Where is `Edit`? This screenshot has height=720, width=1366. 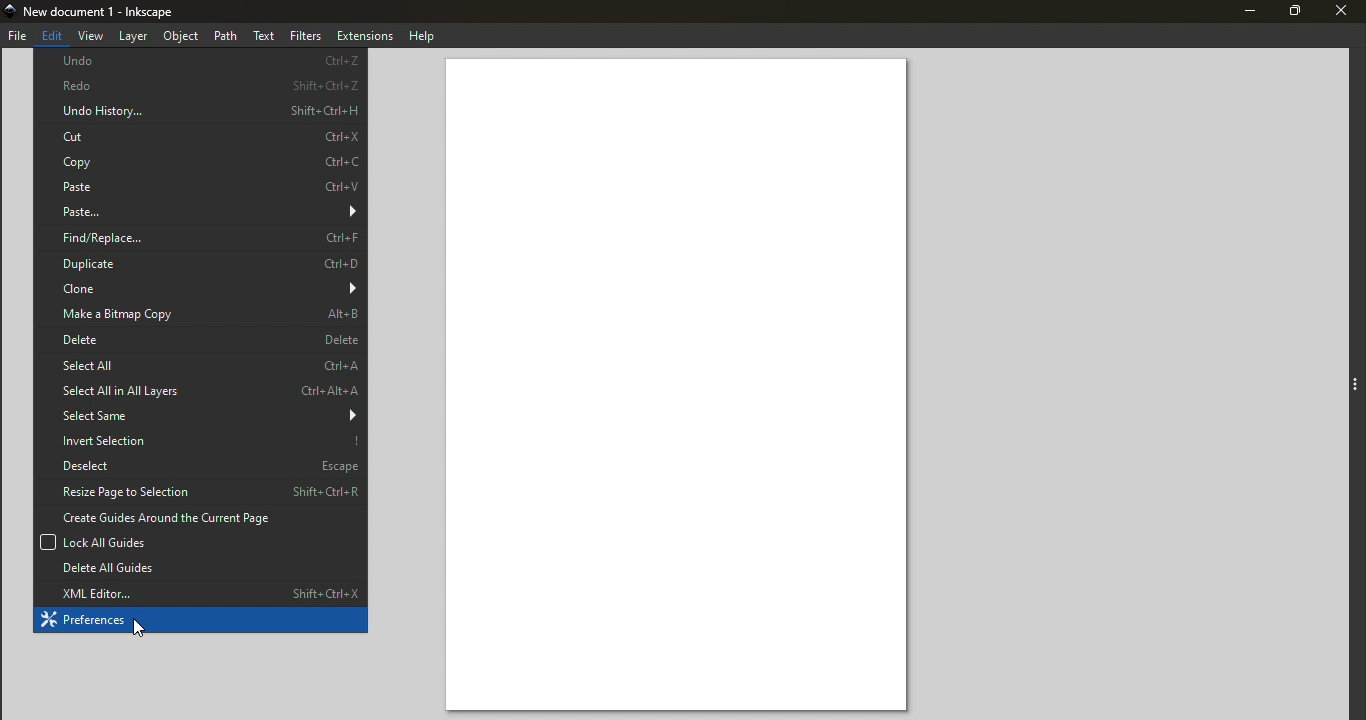
Edit is located at coordinates (52, 36).